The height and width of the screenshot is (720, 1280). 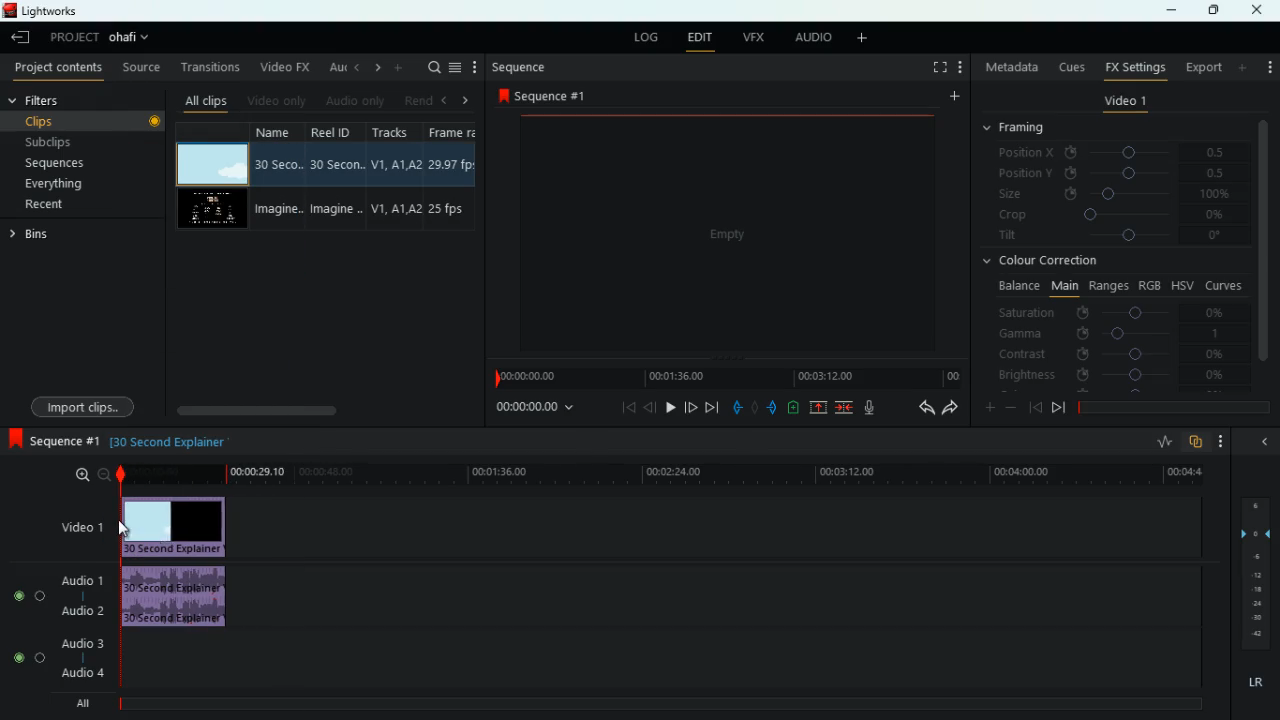 What do you see at coordinates (323, 410) in the screenshot?
I see `scroll` at bounding box center [323, 410].